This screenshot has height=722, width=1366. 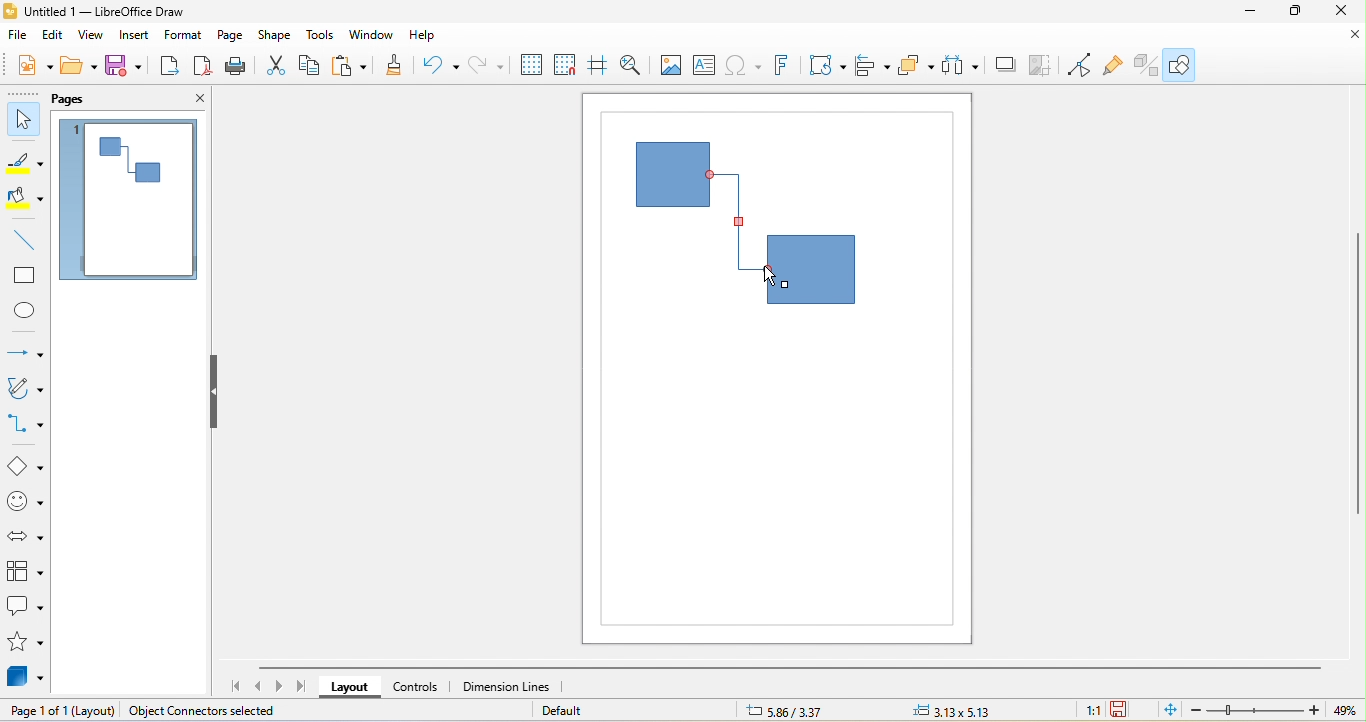 What do you see at coordinates (745, 65) in the screenshot?
I see `special character` at bounding box center [745, 65].